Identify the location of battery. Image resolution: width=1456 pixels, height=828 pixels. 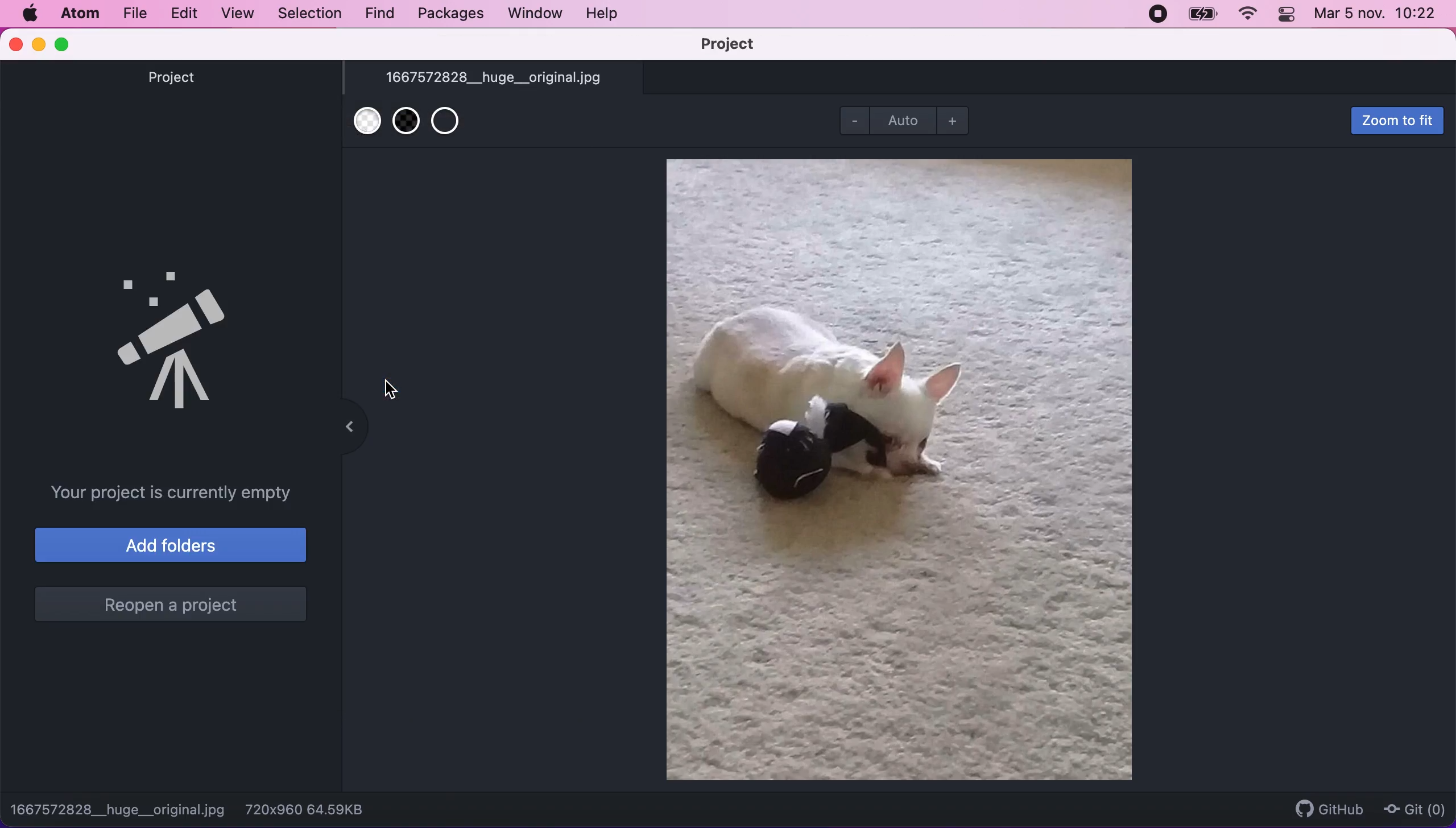
(1199, 15).